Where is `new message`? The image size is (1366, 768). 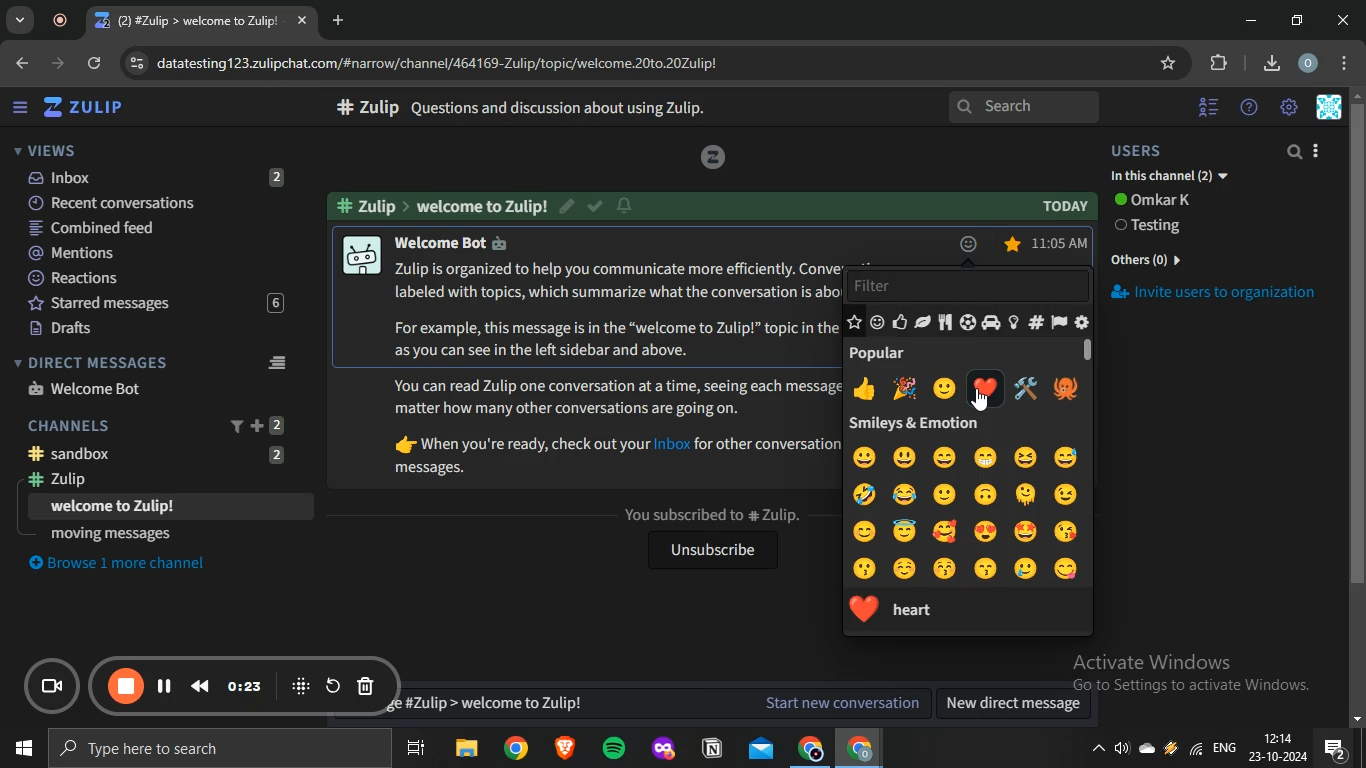 new message is located at coordinates (657, 703).